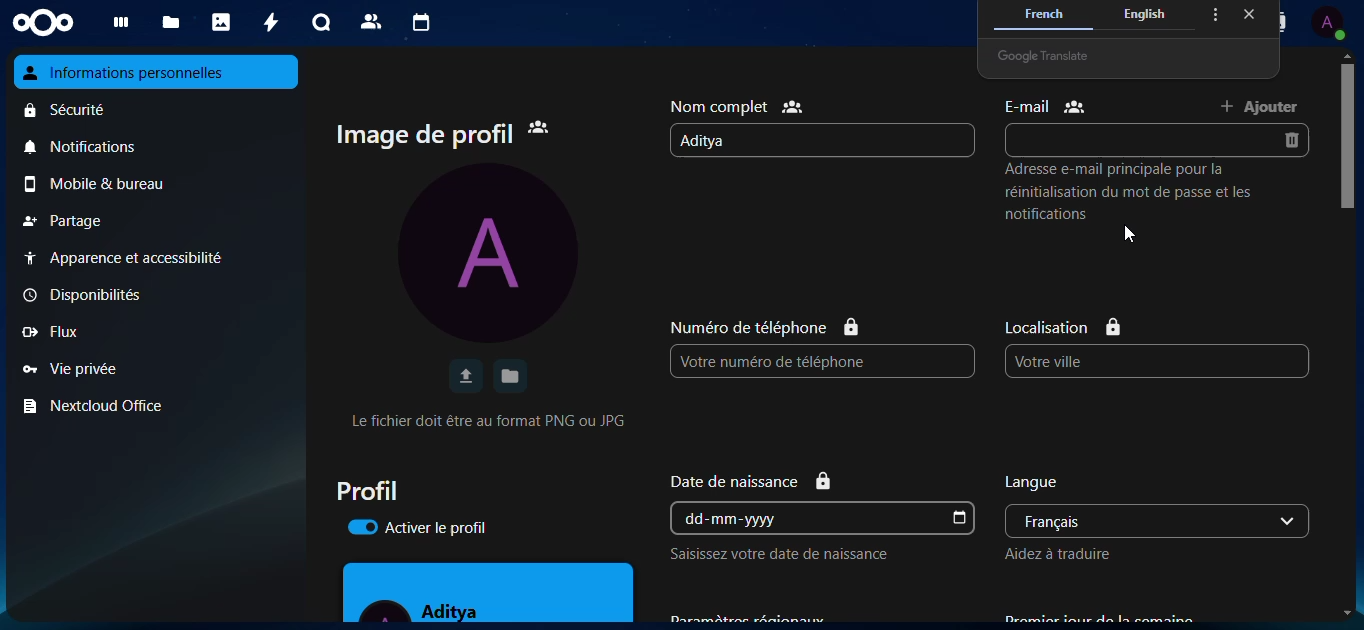 The width and height of the screenshot is (1364, 630). I want to click on availability, so click(83, 295).